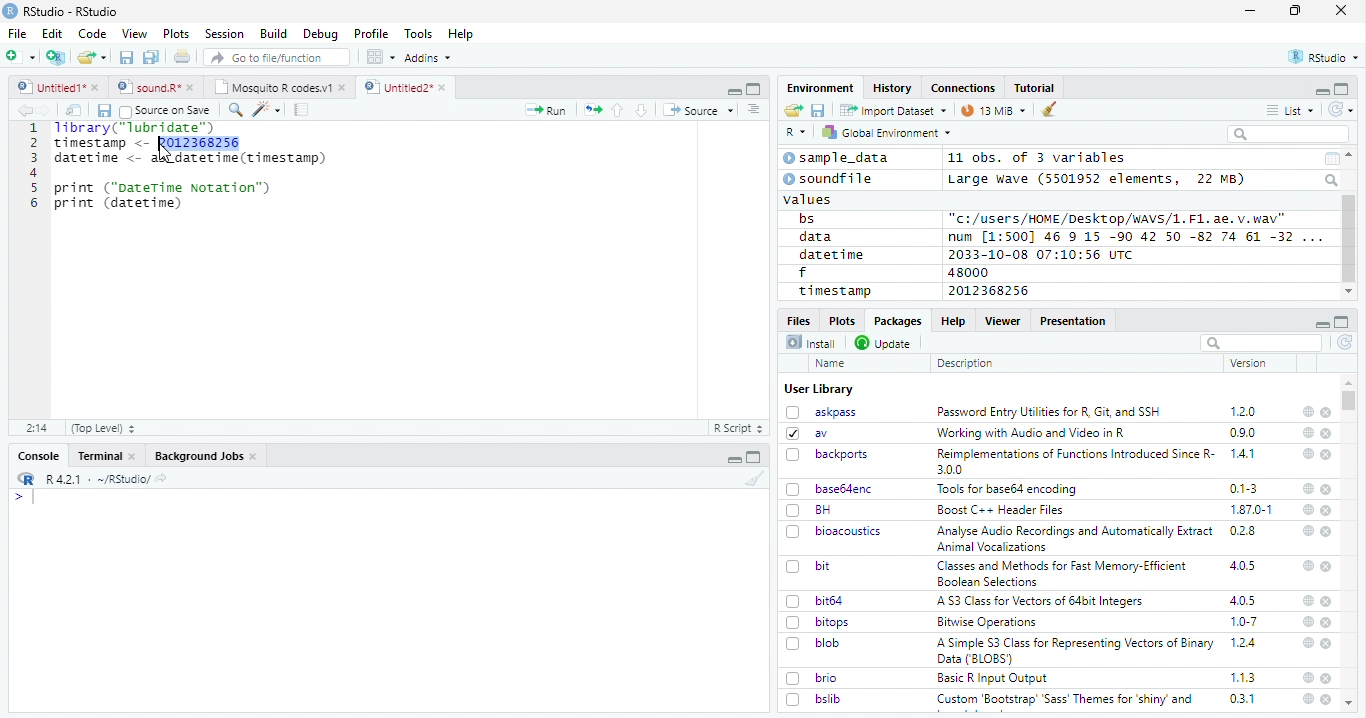 The width and height of the screenshot is (1366, 718). Describe the element at coordinates (1342, 89) in the screenshot. I see `full screen` at that location.